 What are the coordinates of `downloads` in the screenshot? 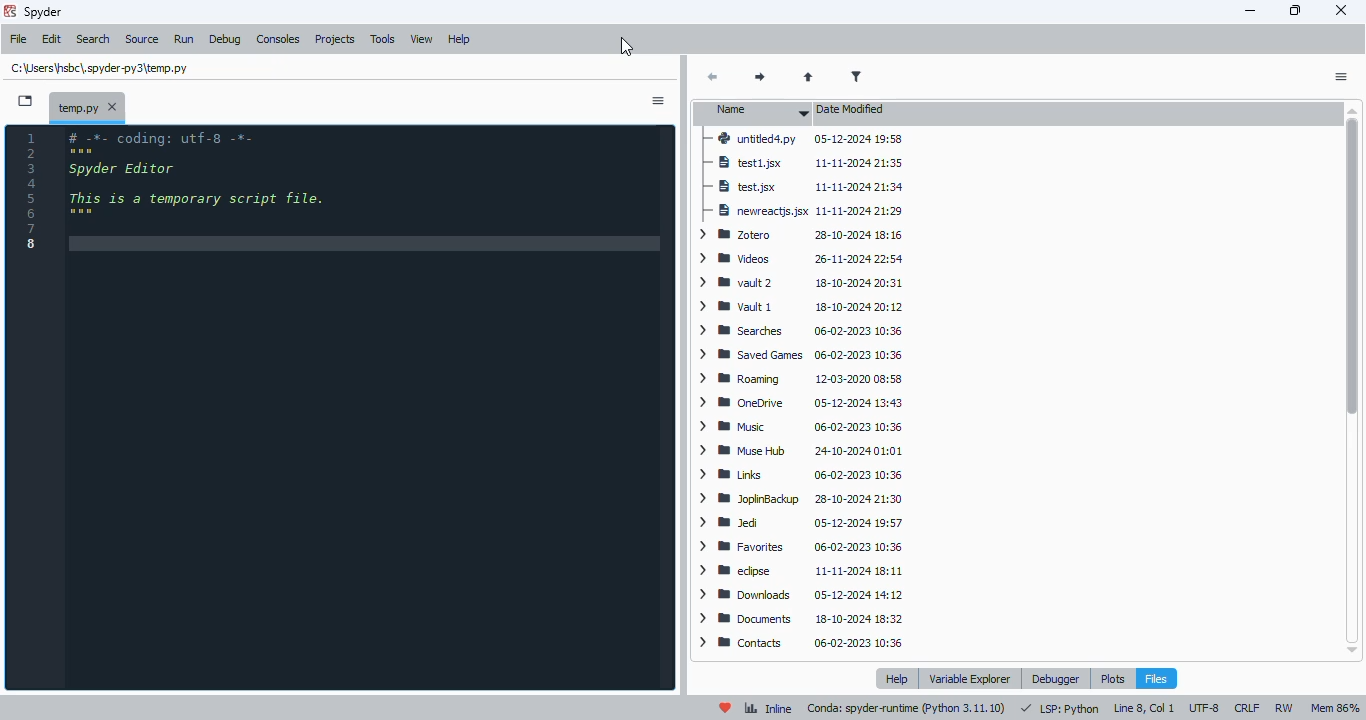 It's located at (802, 594).